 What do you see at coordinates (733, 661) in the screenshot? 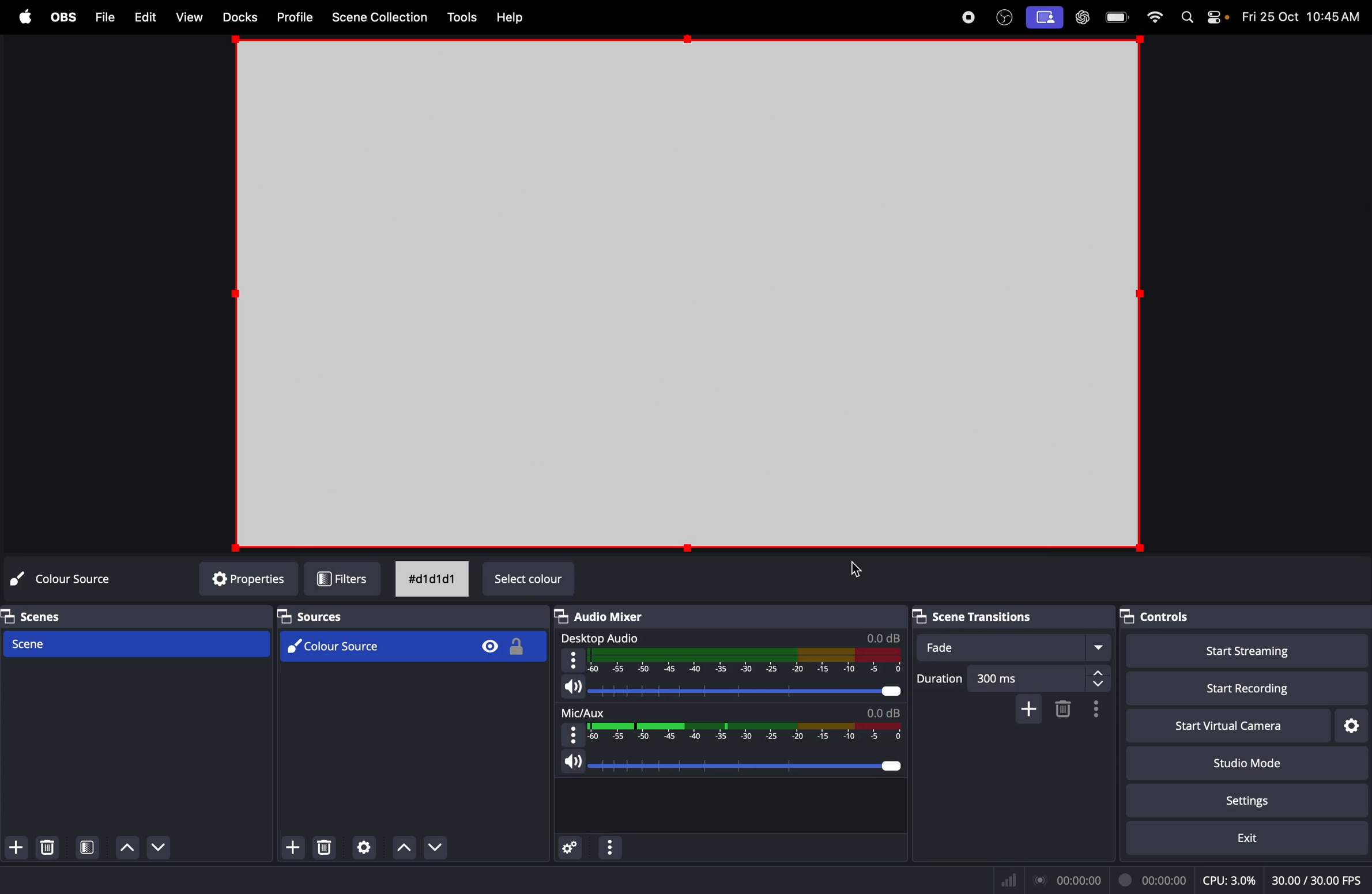
I see `desktop audio` at bounding box center [733, 661].